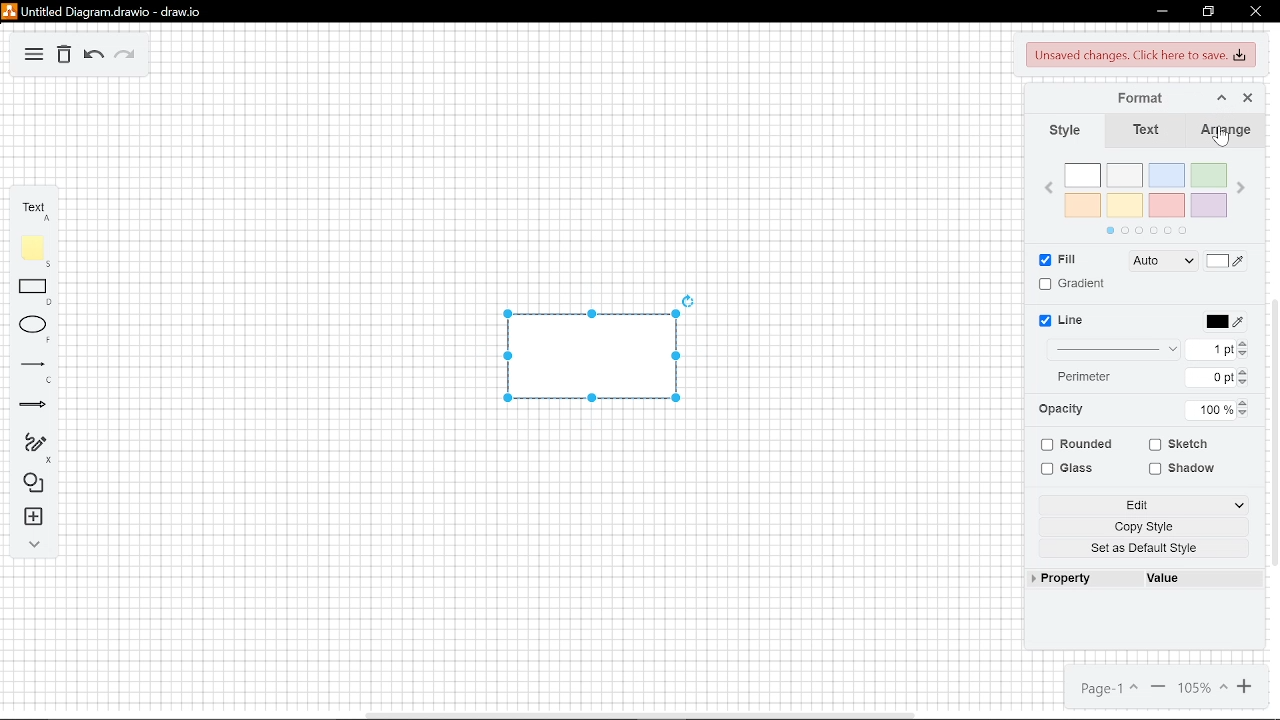  What do you see at coordinates (1058, 260) in the screenshot?
I see `fill` at bounding box center [1058, 260].